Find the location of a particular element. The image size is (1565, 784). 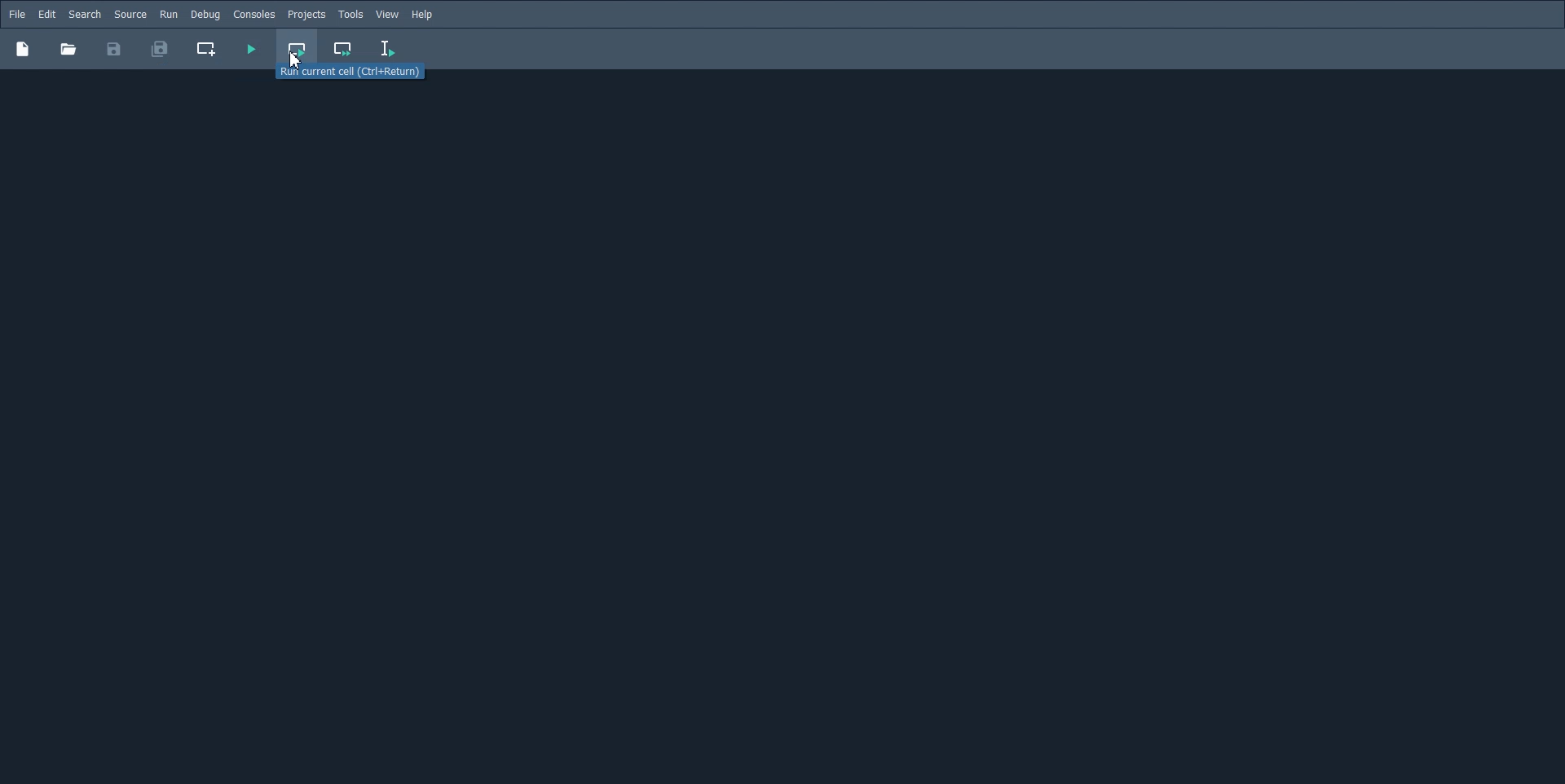

Console is located at coordinates (253, 15).